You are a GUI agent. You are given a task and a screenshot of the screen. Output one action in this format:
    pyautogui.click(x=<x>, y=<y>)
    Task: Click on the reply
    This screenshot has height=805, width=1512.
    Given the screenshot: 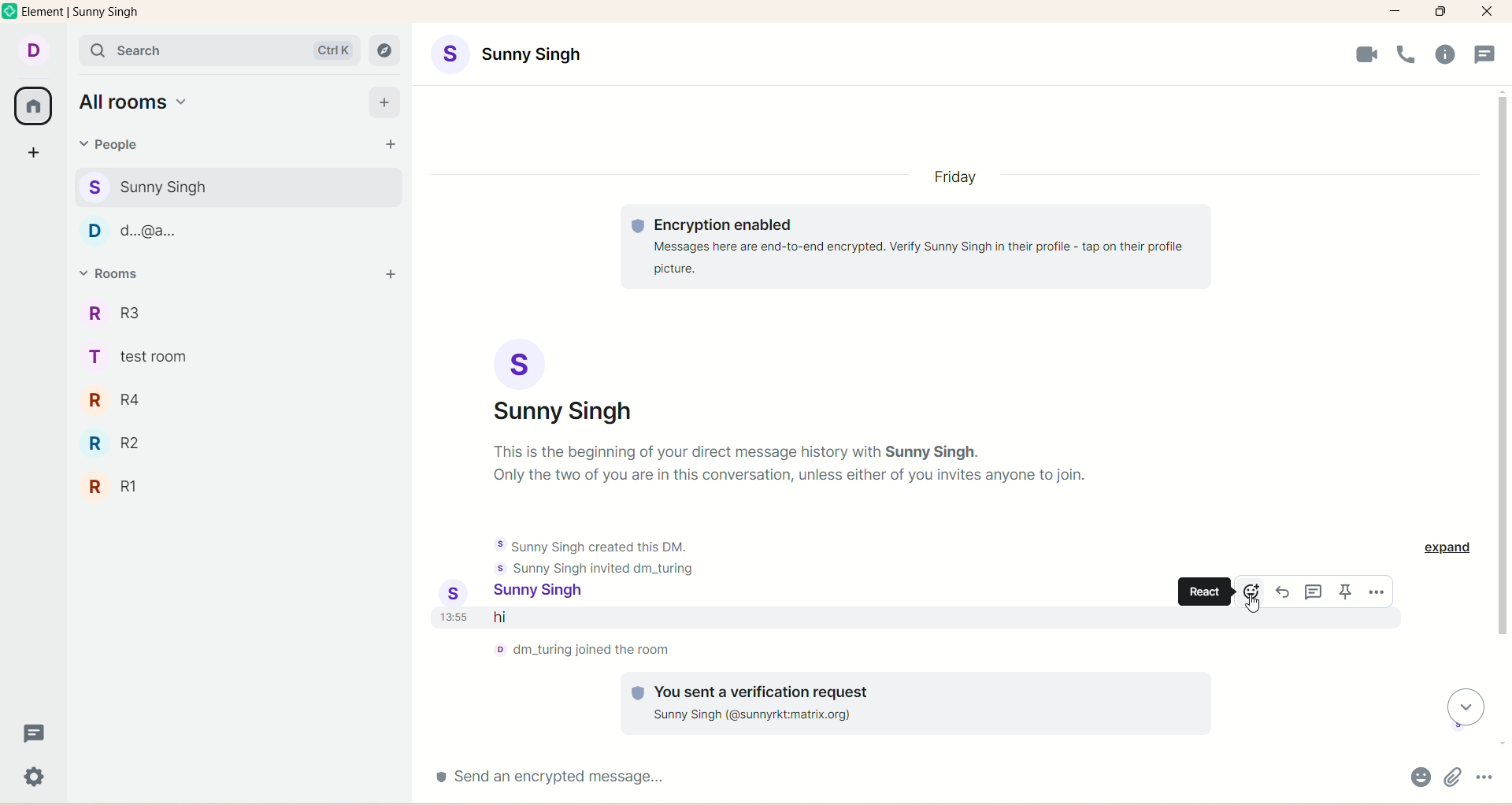 What is the action you would take?
    pyautogui.click(x=1284, y=592)
    